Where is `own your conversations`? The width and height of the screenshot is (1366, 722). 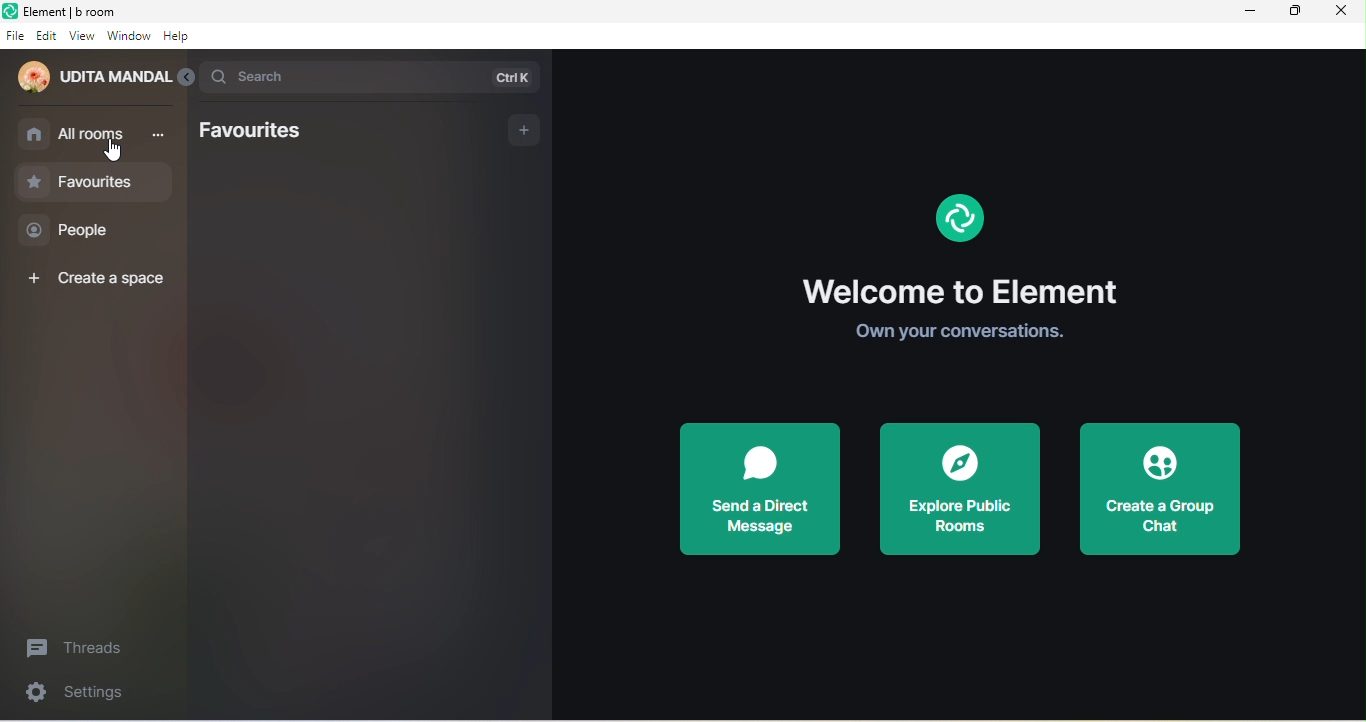 own your conversations is located at coordinates (963, 333).